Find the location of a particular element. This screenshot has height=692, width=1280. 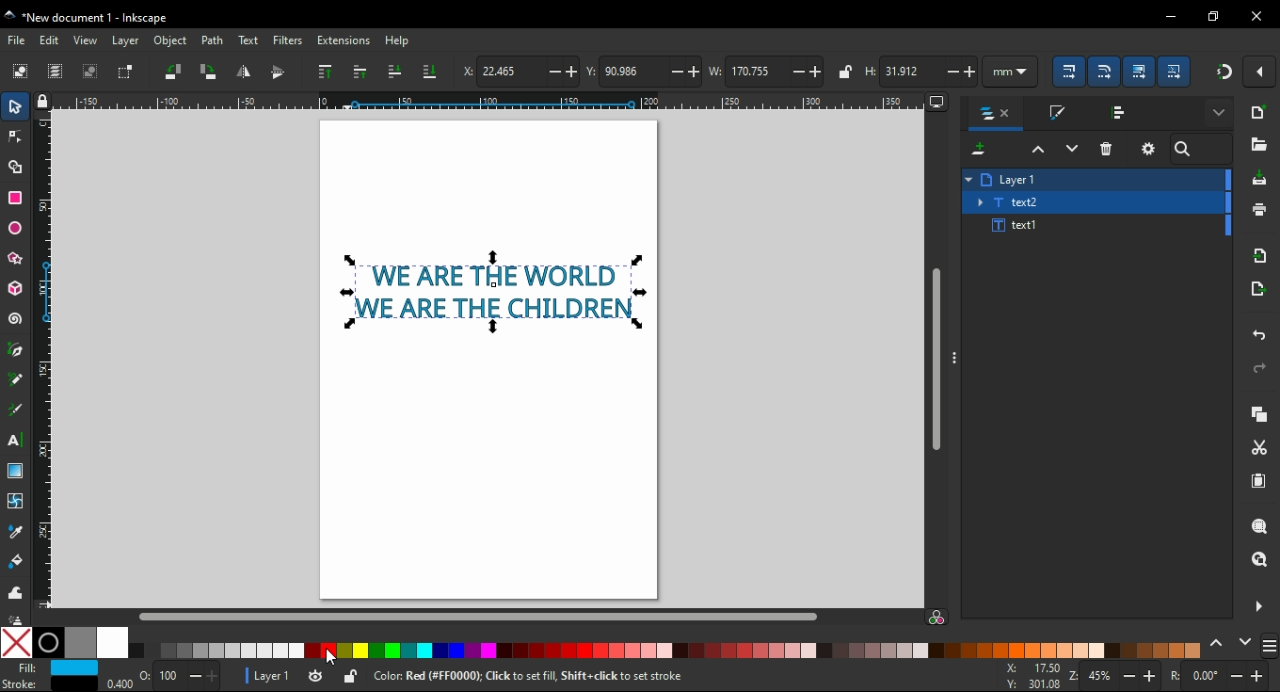

select is located at coordinates (20, 71).